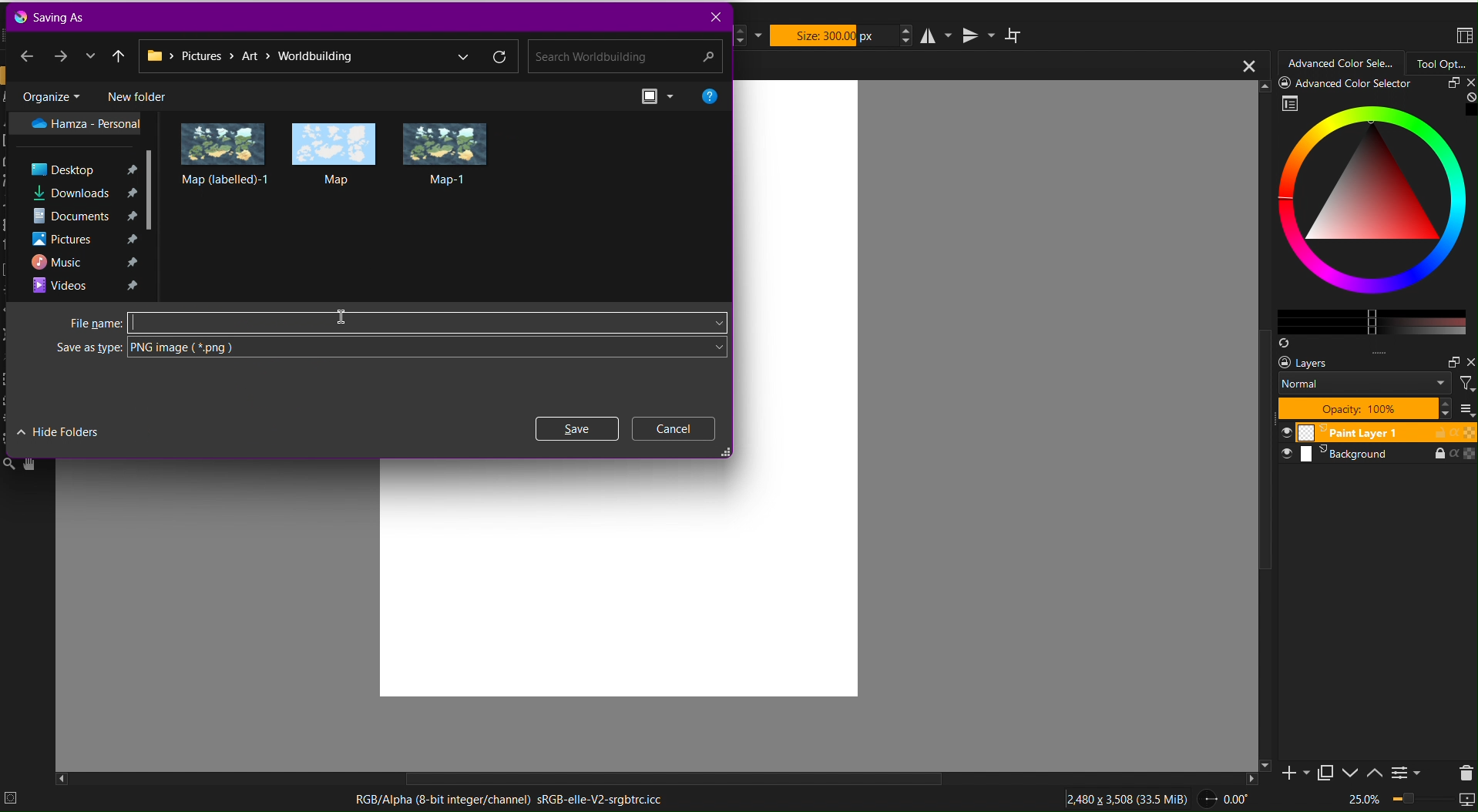 The width and height of the screenshot is (1478, 812). I want to click on Layer Settings, so click(1374, 386).